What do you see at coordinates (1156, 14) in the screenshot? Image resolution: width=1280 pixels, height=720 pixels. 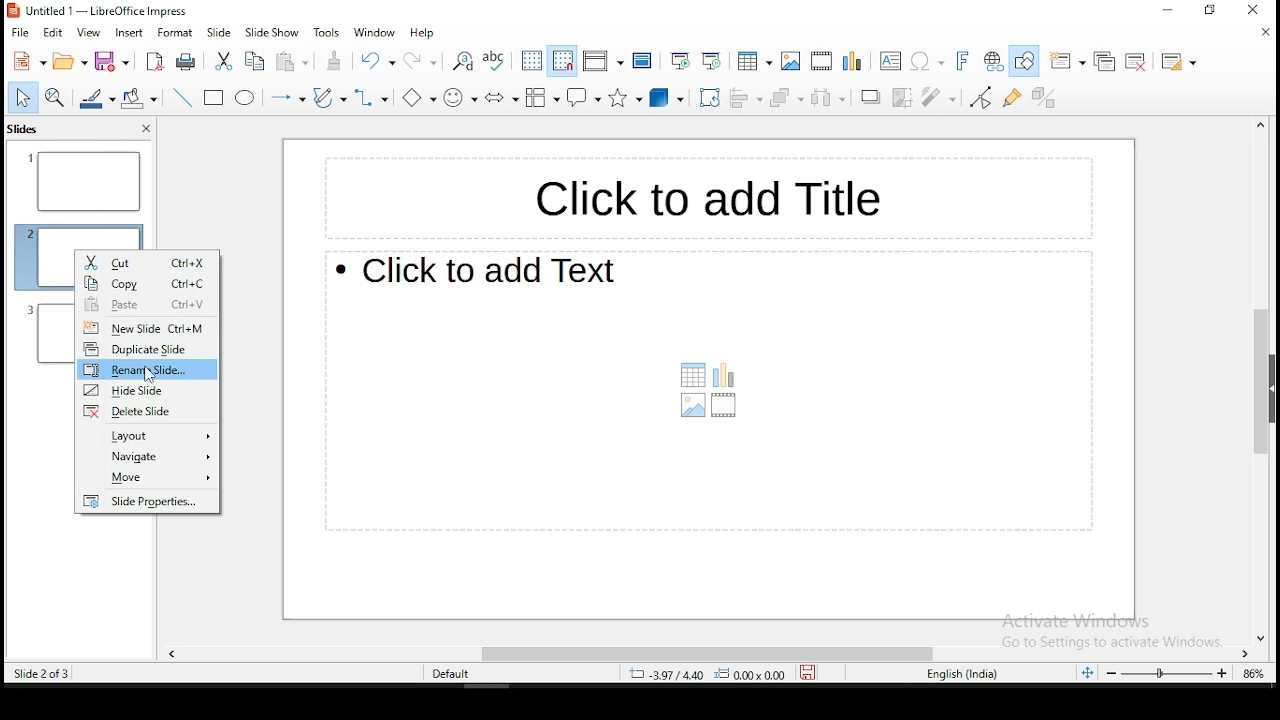 I see `minimize` at bounding box center [1156, 14].